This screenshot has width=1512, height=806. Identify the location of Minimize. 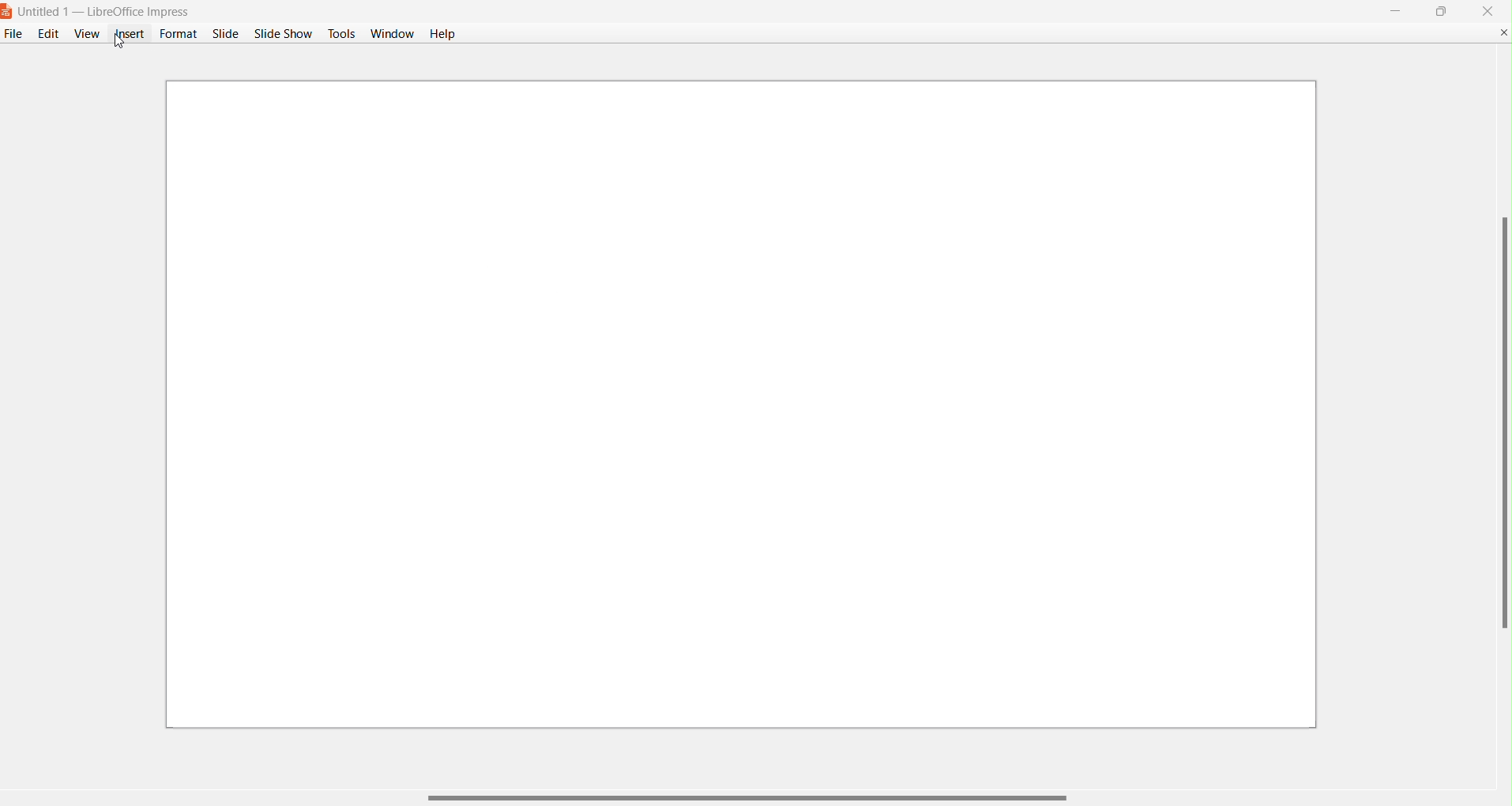
(1394, 9).